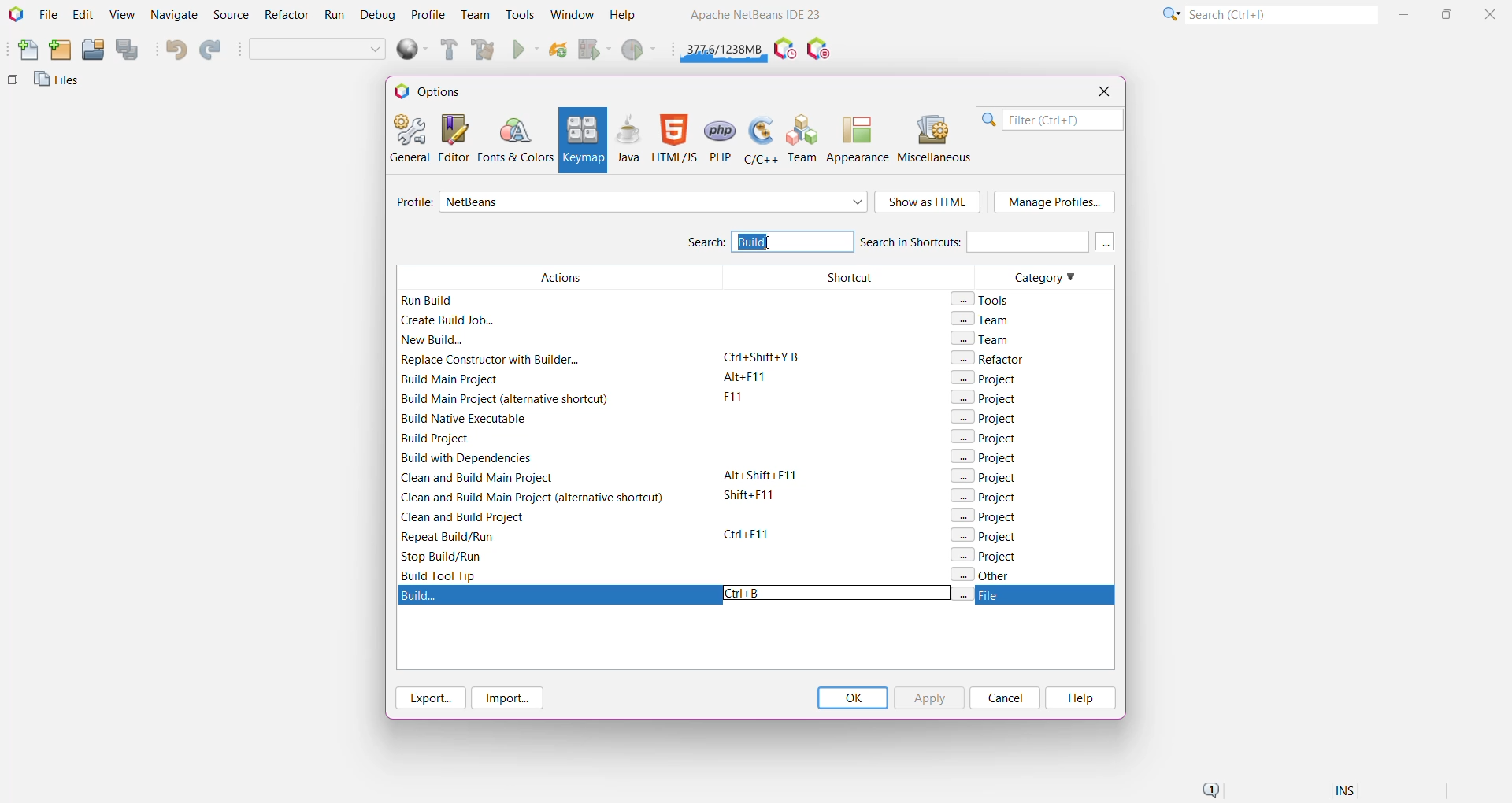  Describe the element at coordinates (630, 17) in the screenshot. I see `Help` at that location.